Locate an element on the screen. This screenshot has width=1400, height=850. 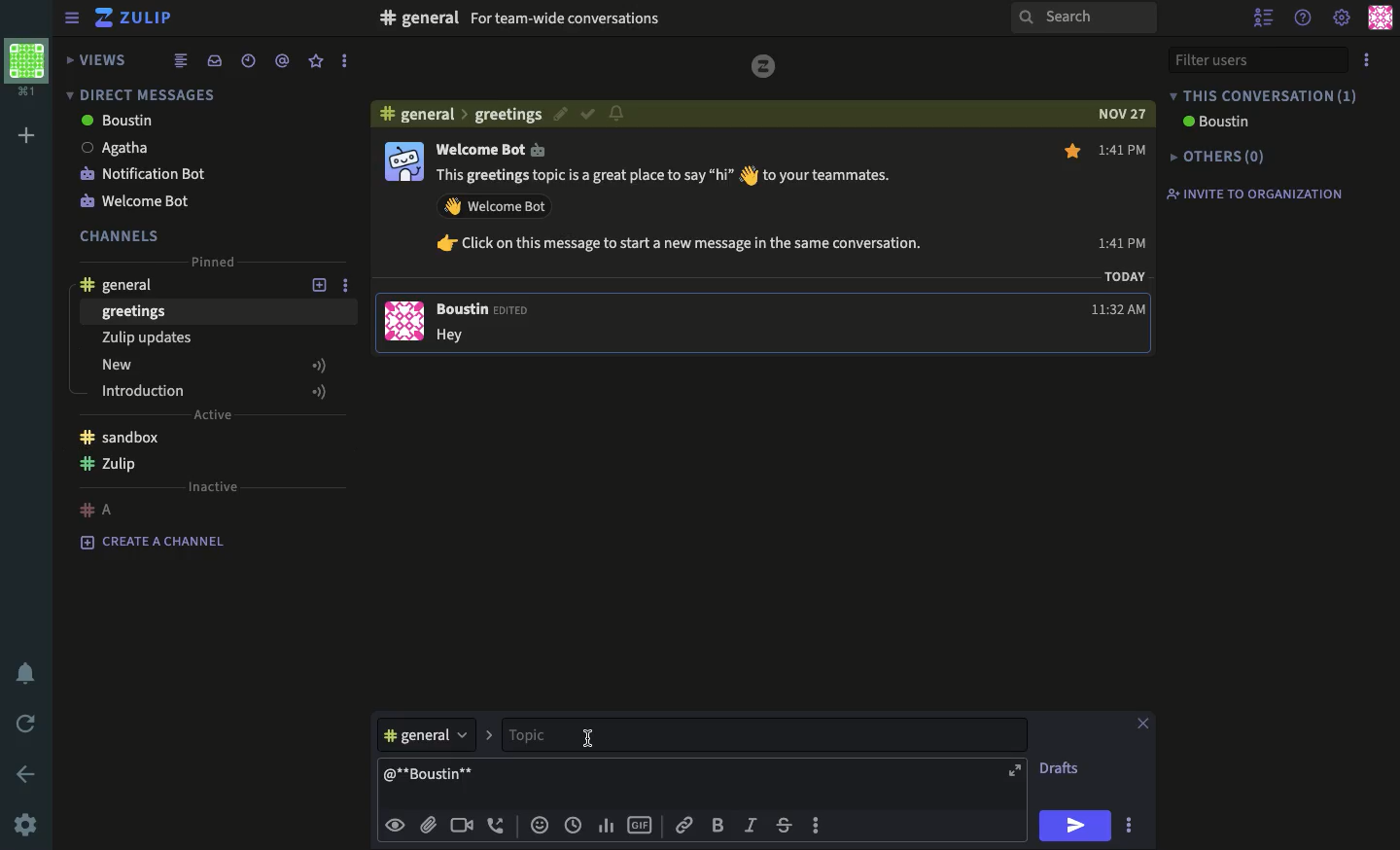
add new topic is located at coordinates (320, 287).